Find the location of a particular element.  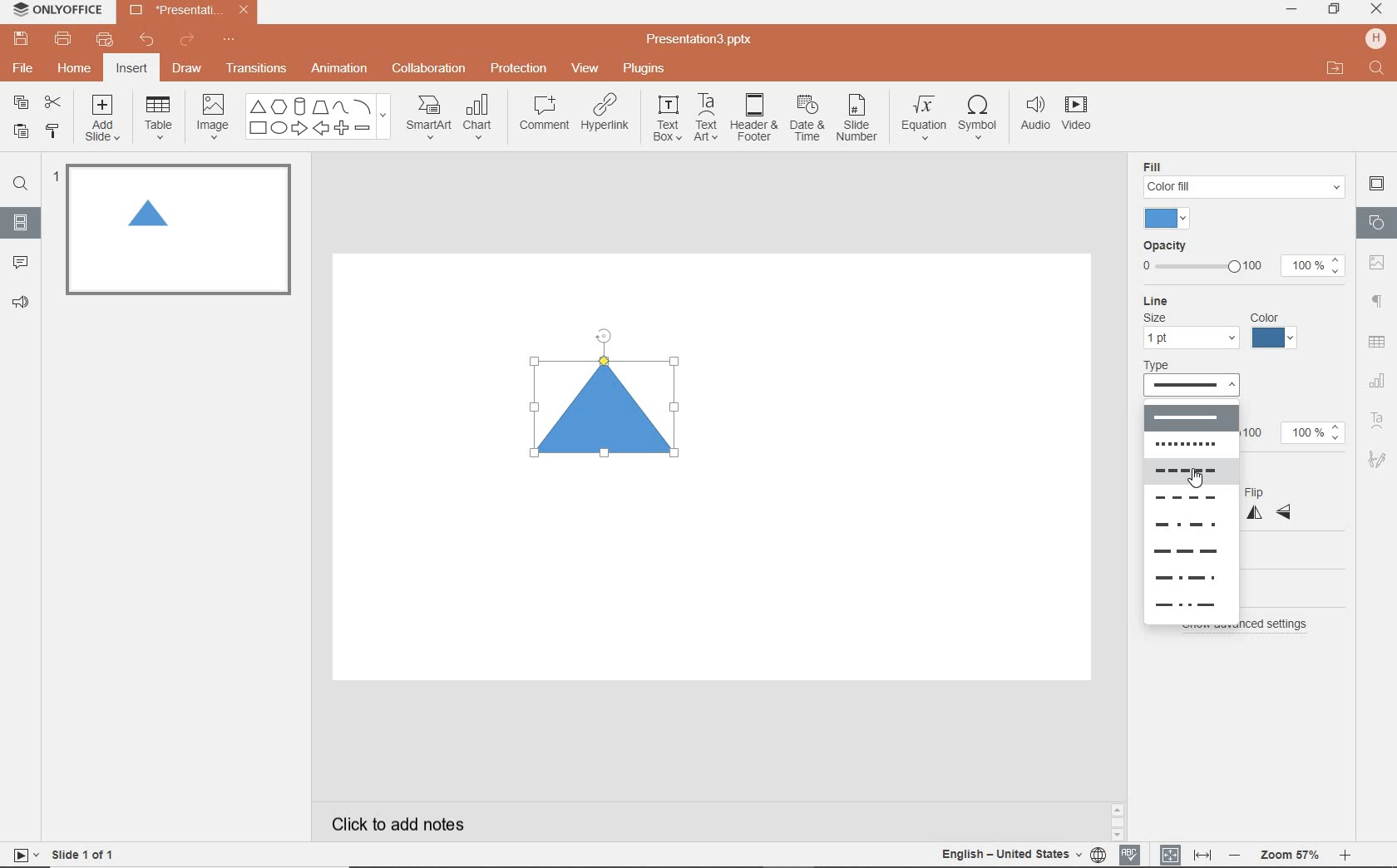

TEXT BOX is located at coordinates (666, 118).